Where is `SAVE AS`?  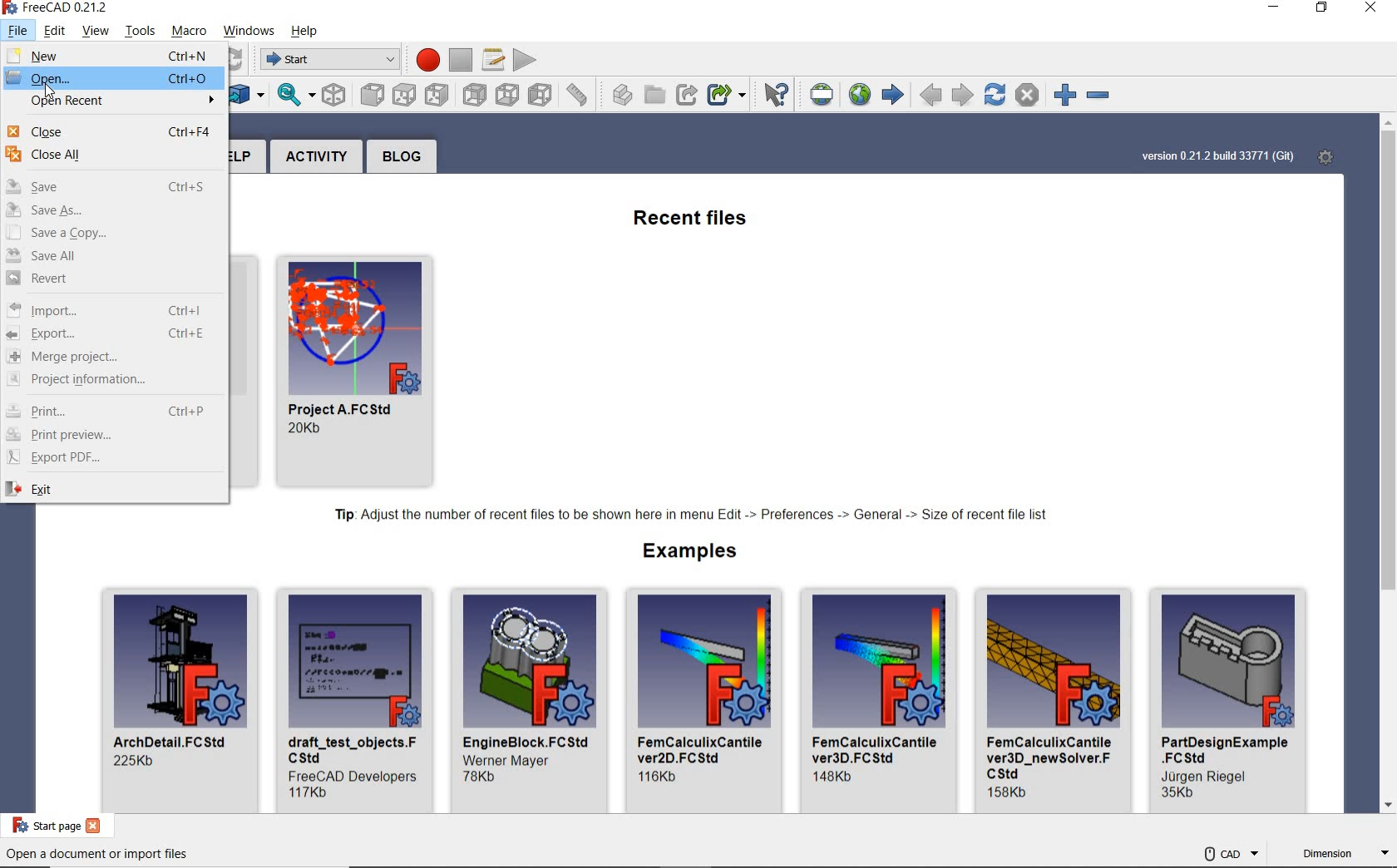 SAVE AS is located at coordinates (113, 212).